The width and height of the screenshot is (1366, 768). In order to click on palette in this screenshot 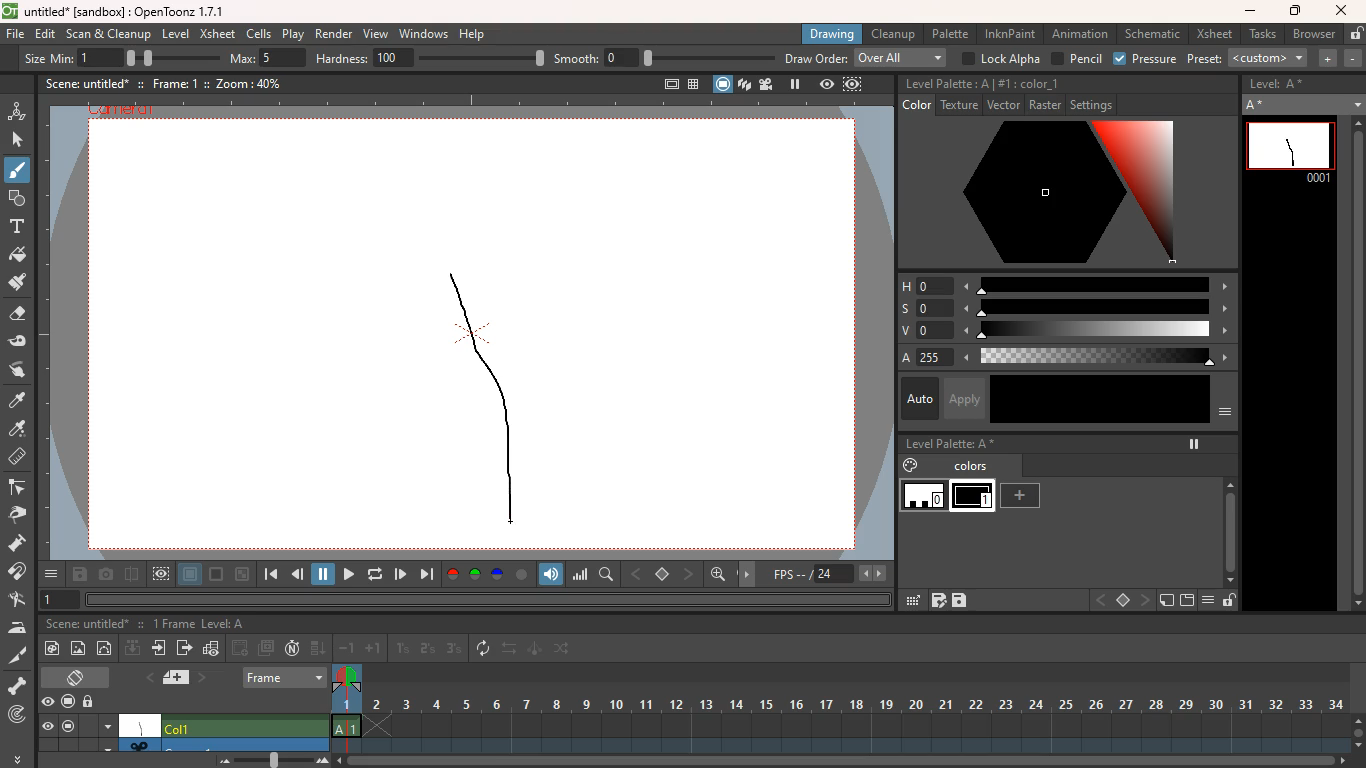, I will do `click(952, 33)`.